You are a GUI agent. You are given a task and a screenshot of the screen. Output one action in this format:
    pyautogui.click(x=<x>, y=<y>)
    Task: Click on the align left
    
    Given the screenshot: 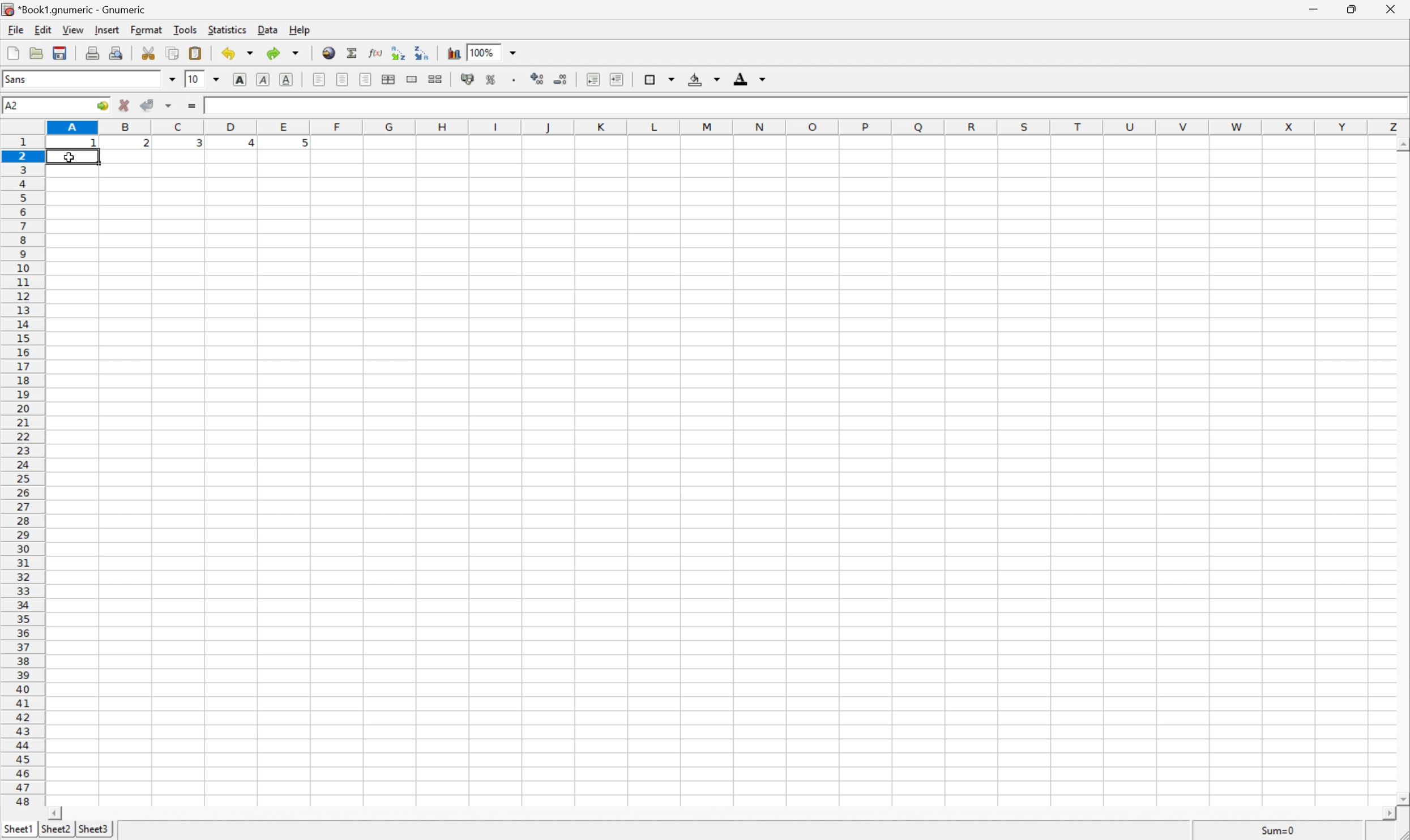 What is the action you would take?
    pyautogui.click(x=320, y=79)
    